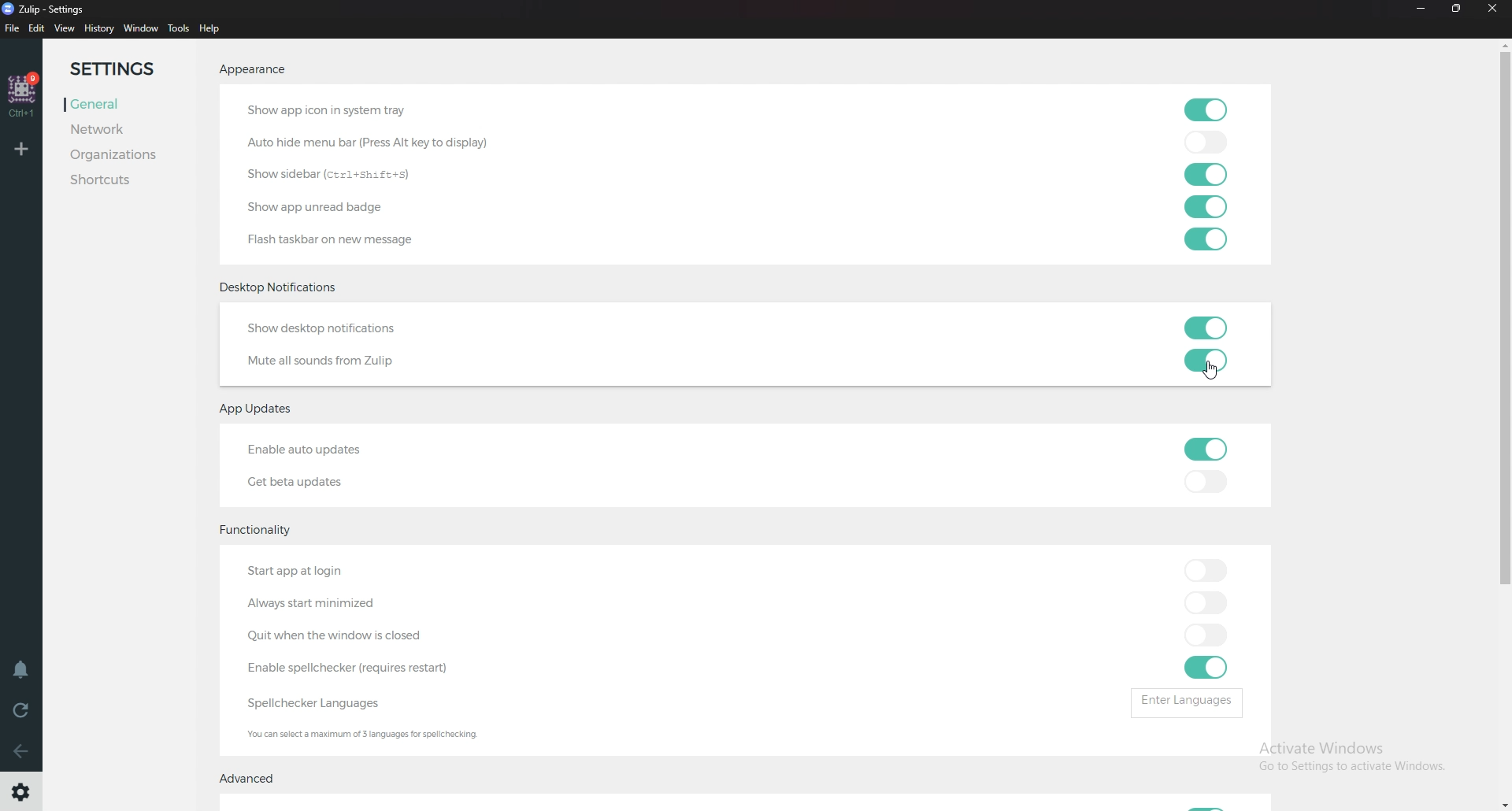 The height and width of the screenshot is (811, 1512). Describe the element at coordinates (98, 28) in the screenshot. I see `History` at that location.